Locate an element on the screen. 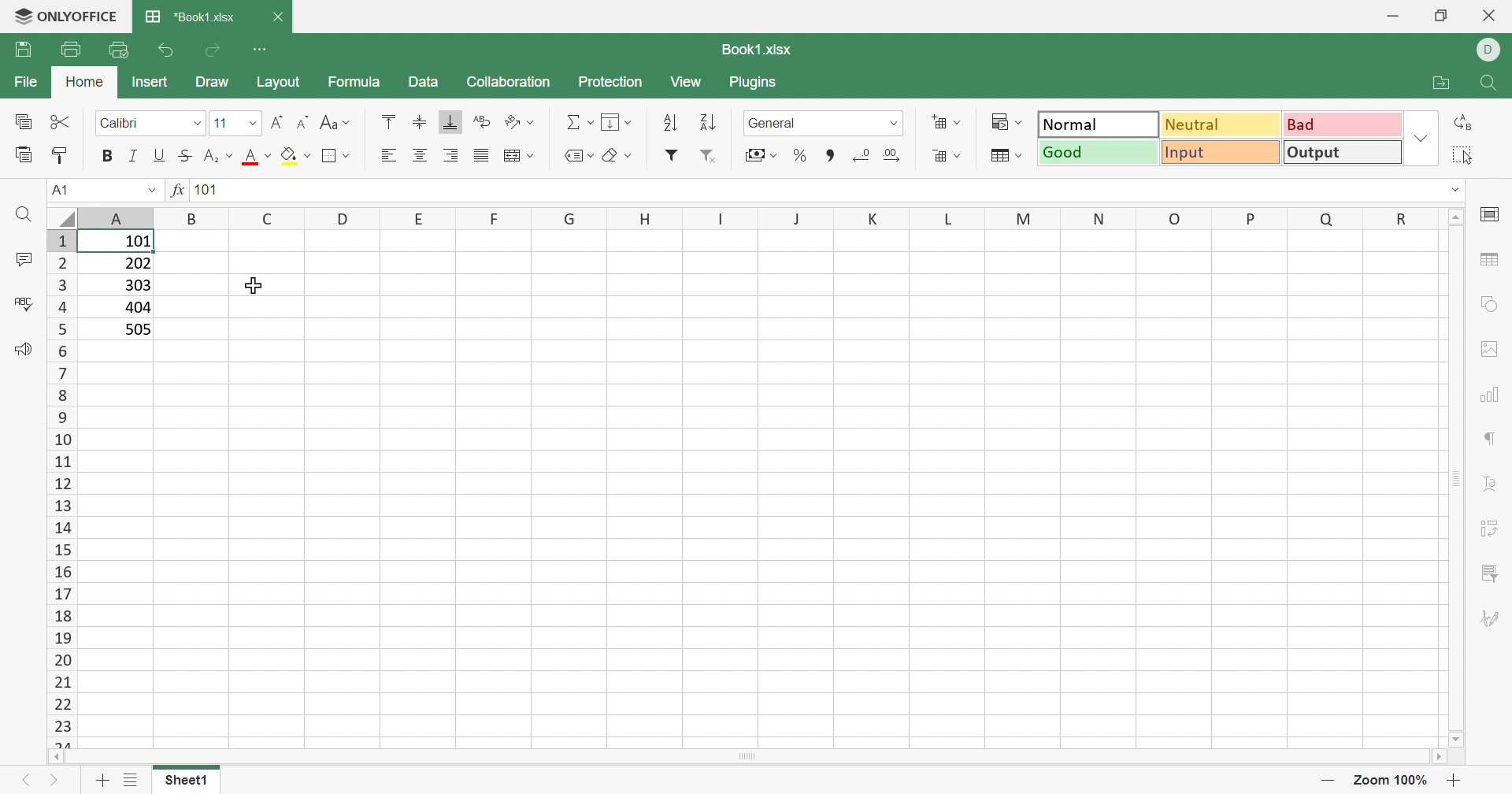 This screenshot has width=1512, height=794. Select all is located at coordinates (1466, 155).